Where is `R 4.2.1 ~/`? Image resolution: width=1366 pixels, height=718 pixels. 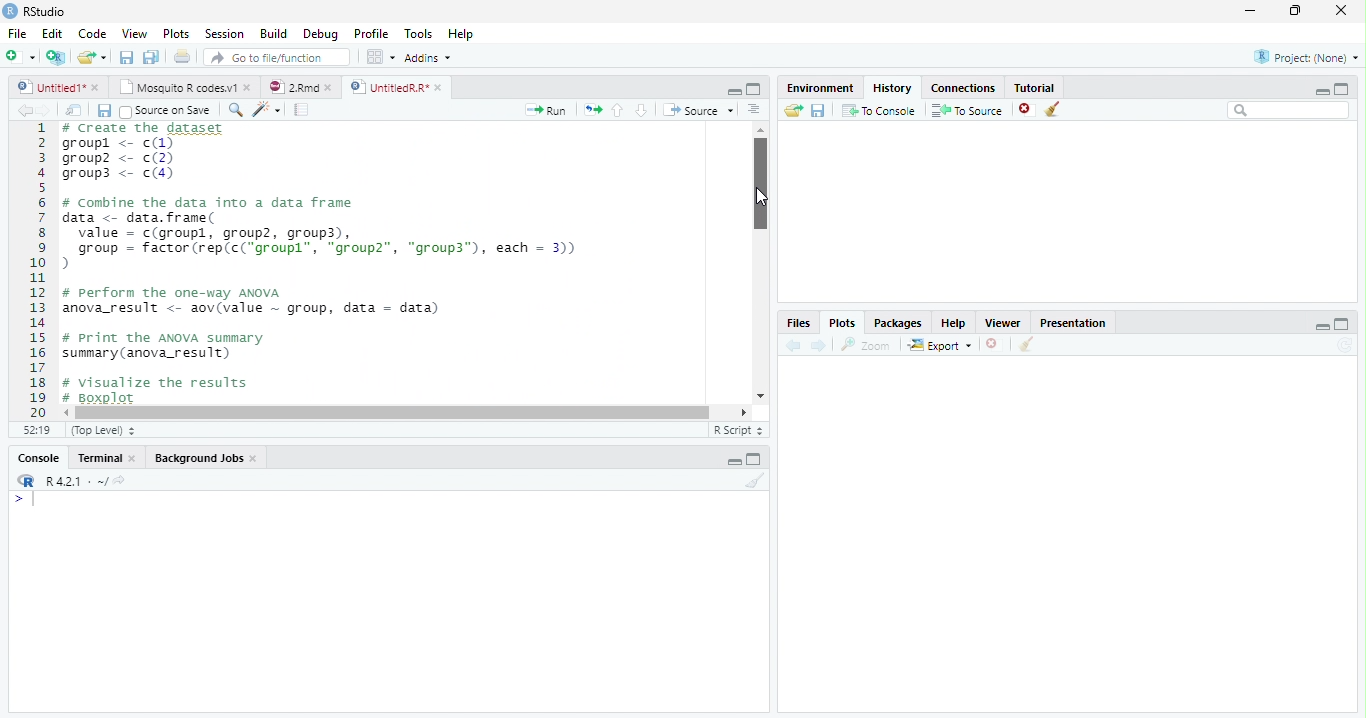
R 4.2.1 ~/ is located at coordinates (77, 481).